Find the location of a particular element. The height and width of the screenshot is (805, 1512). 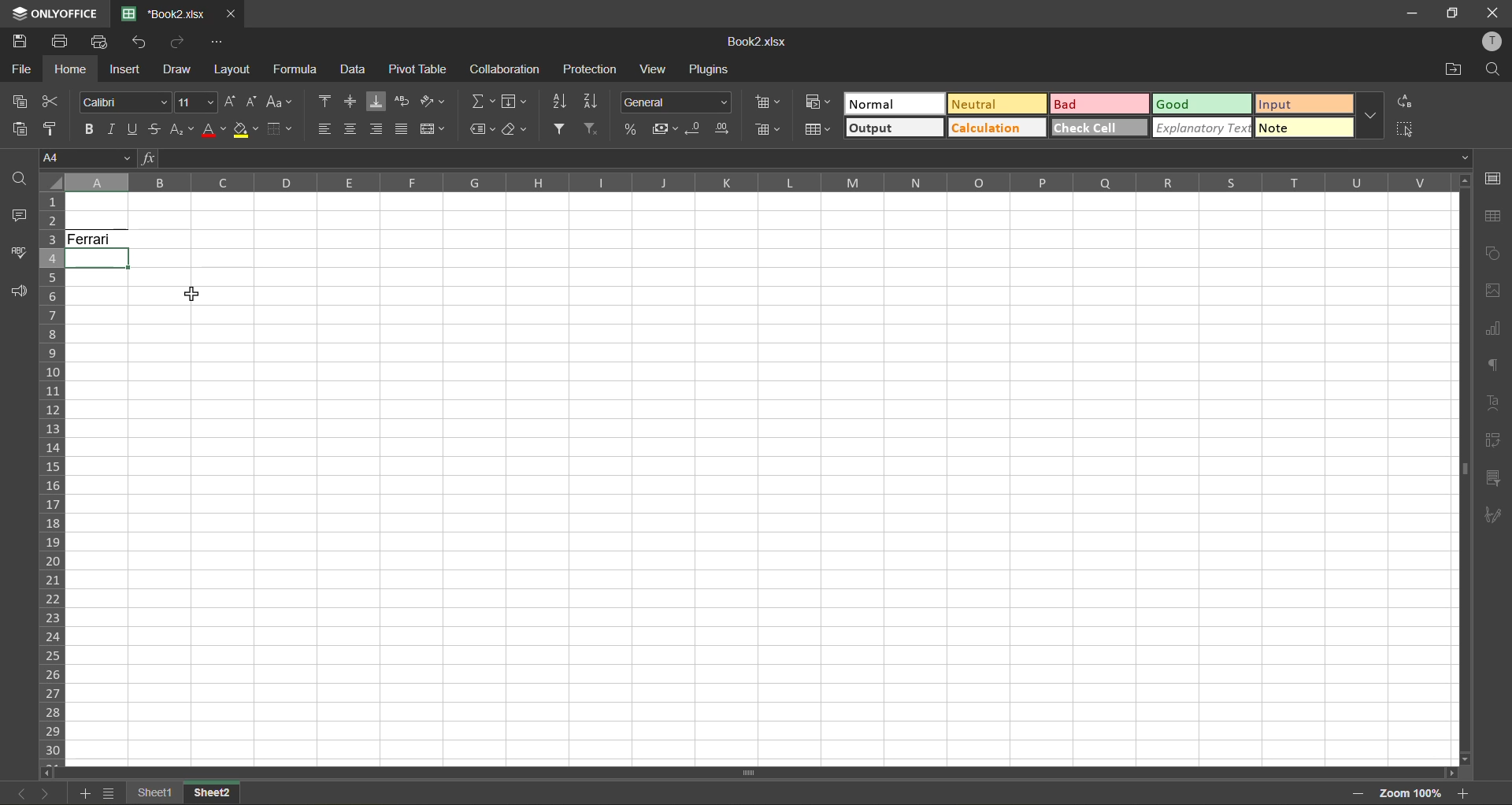

format as table is located at coordinates (819, 131).